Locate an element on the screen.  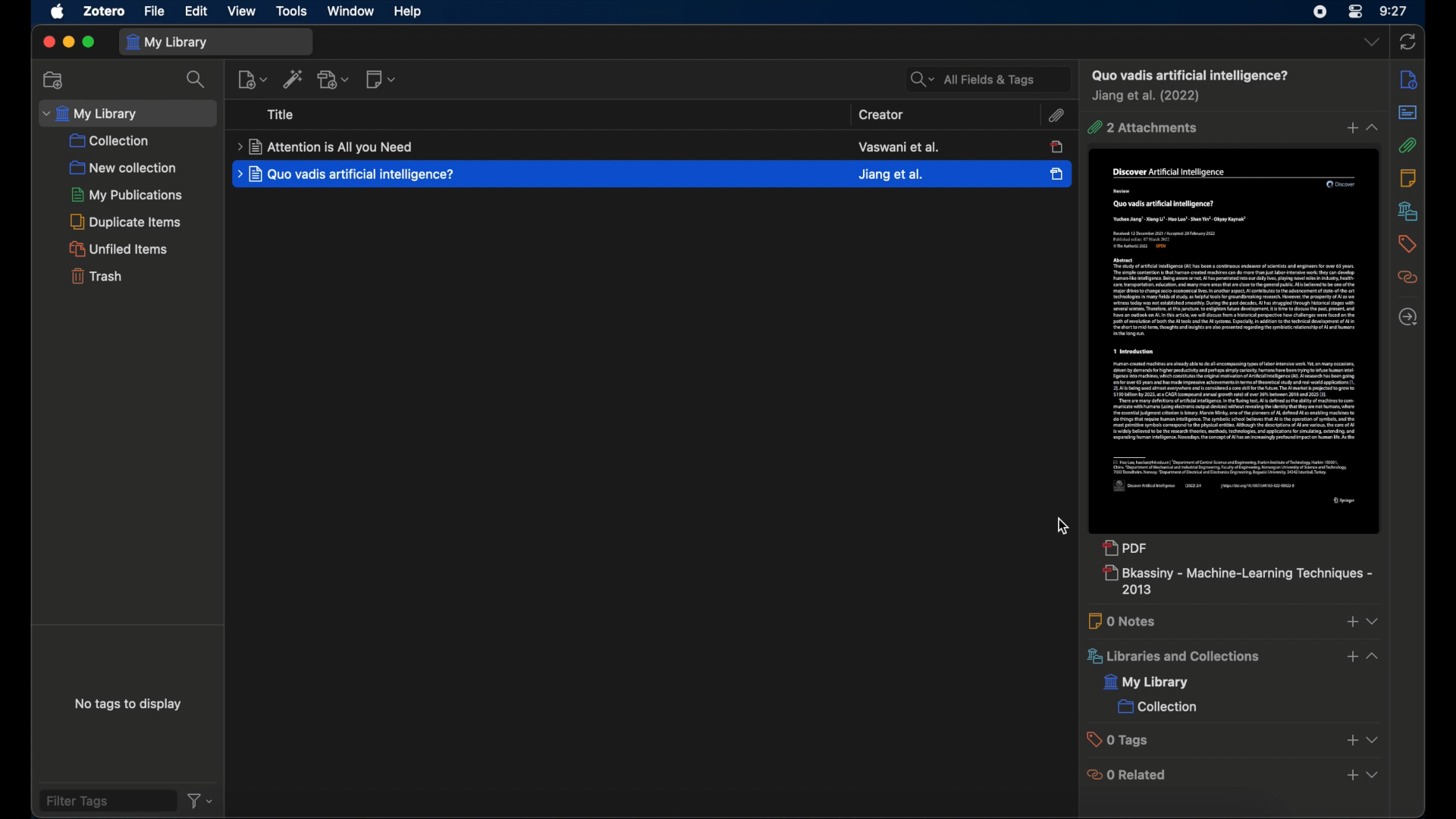
unfilled items is located at coordinates (121, 249).